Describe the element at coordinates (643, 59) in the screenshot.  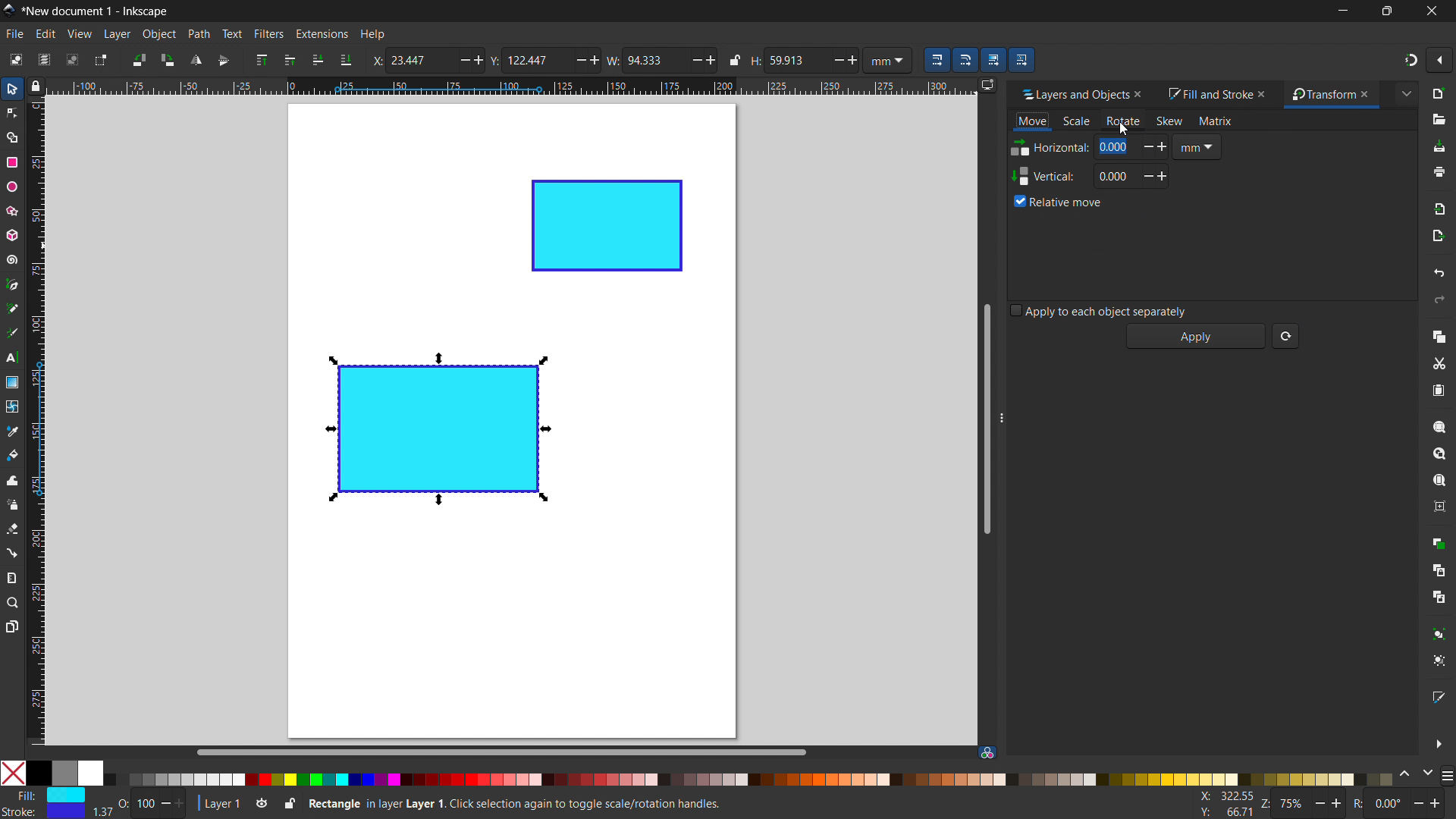
I see `W: 94.333` at that location.